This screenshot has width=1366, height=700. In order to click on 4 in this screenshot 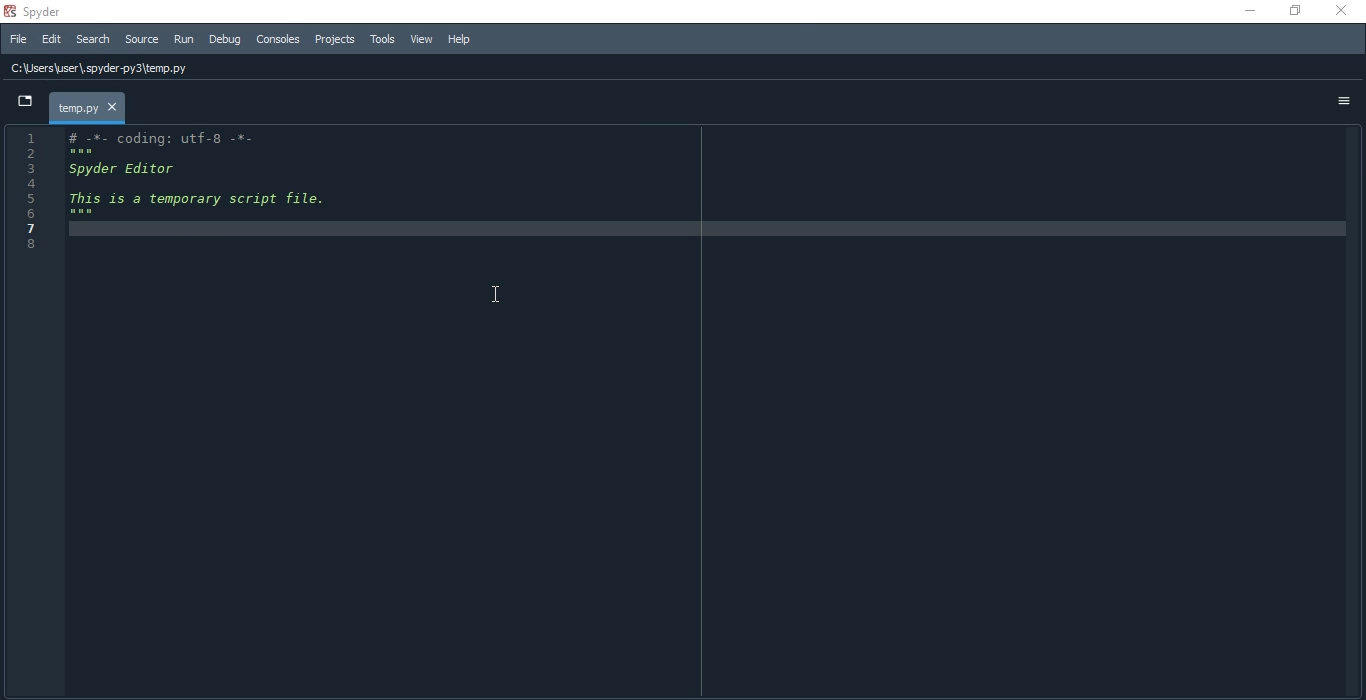, I will do `click(51, 184)`.